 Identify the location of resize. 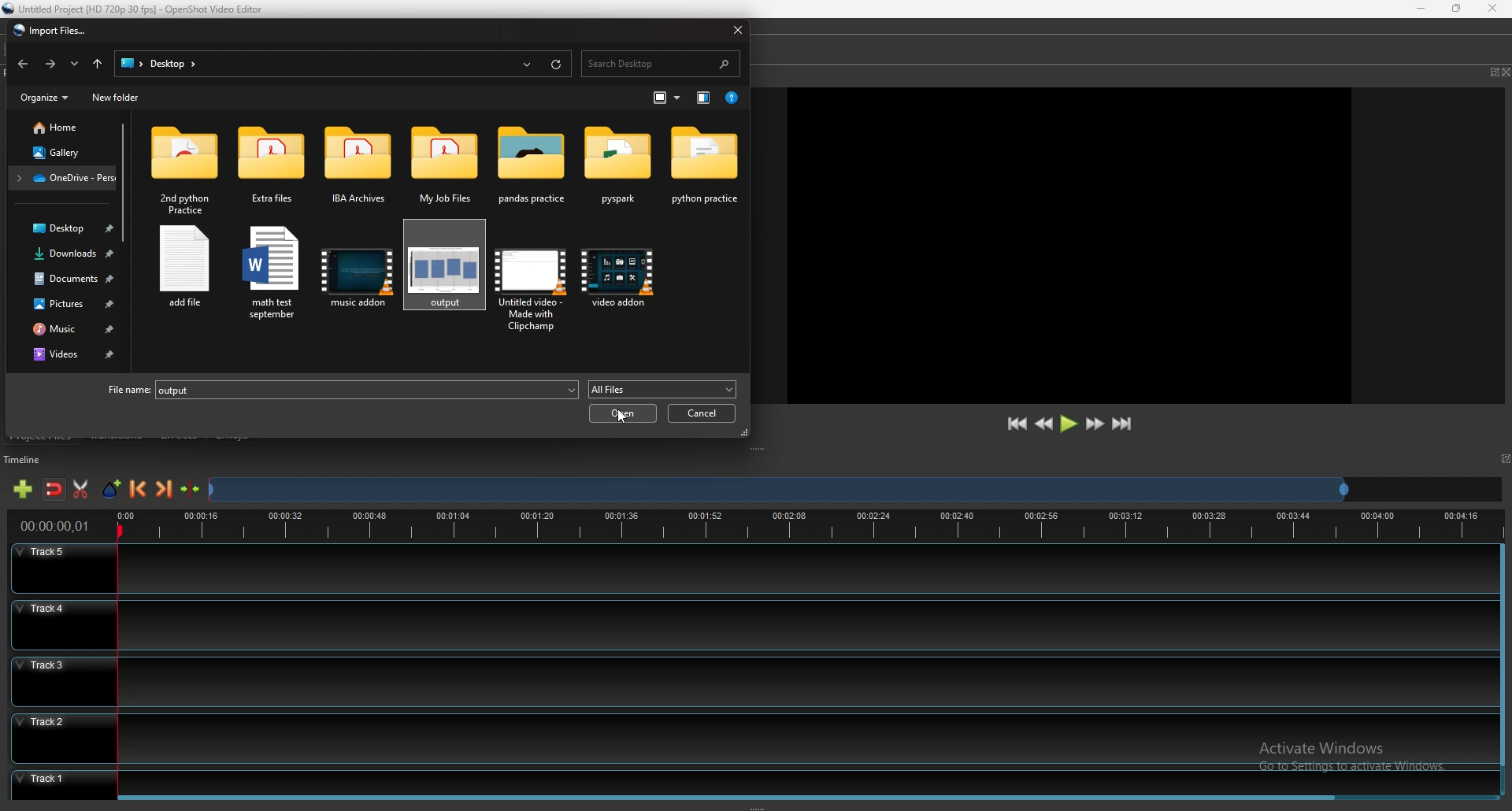
(1457, 8).